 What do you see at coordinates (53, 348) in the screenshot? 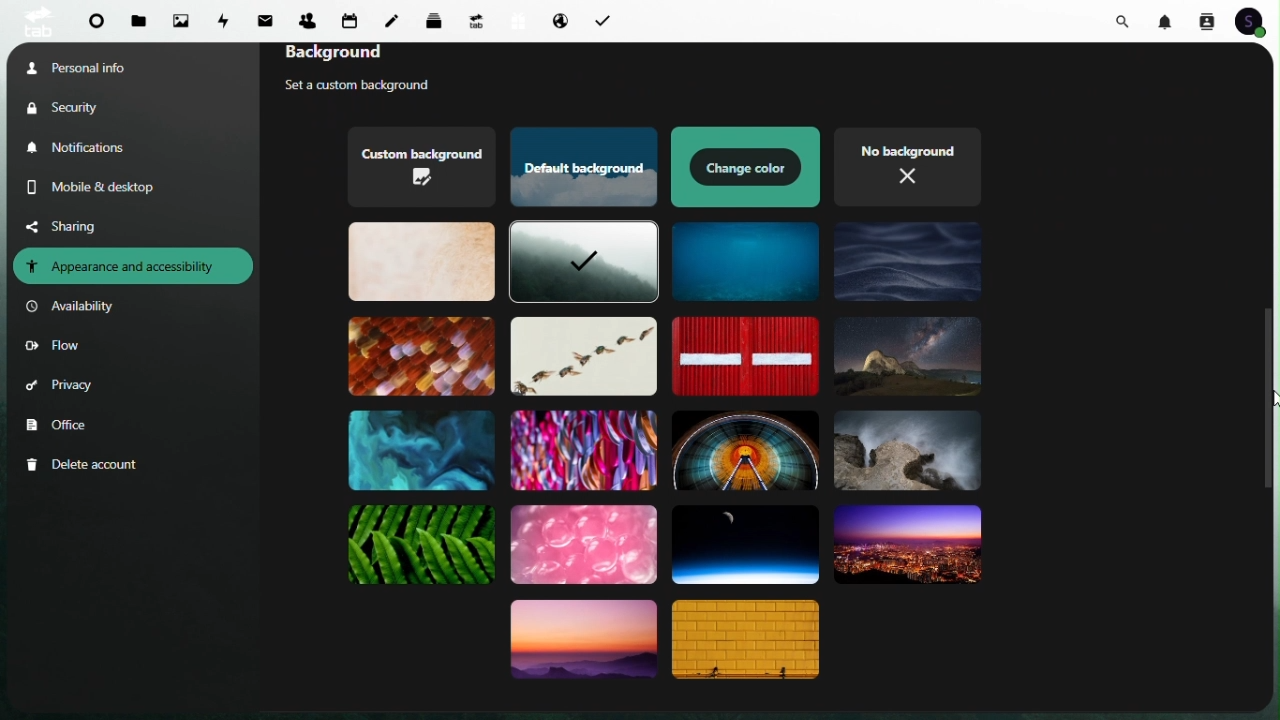
I see `flow` at bounding box center [53, 348].